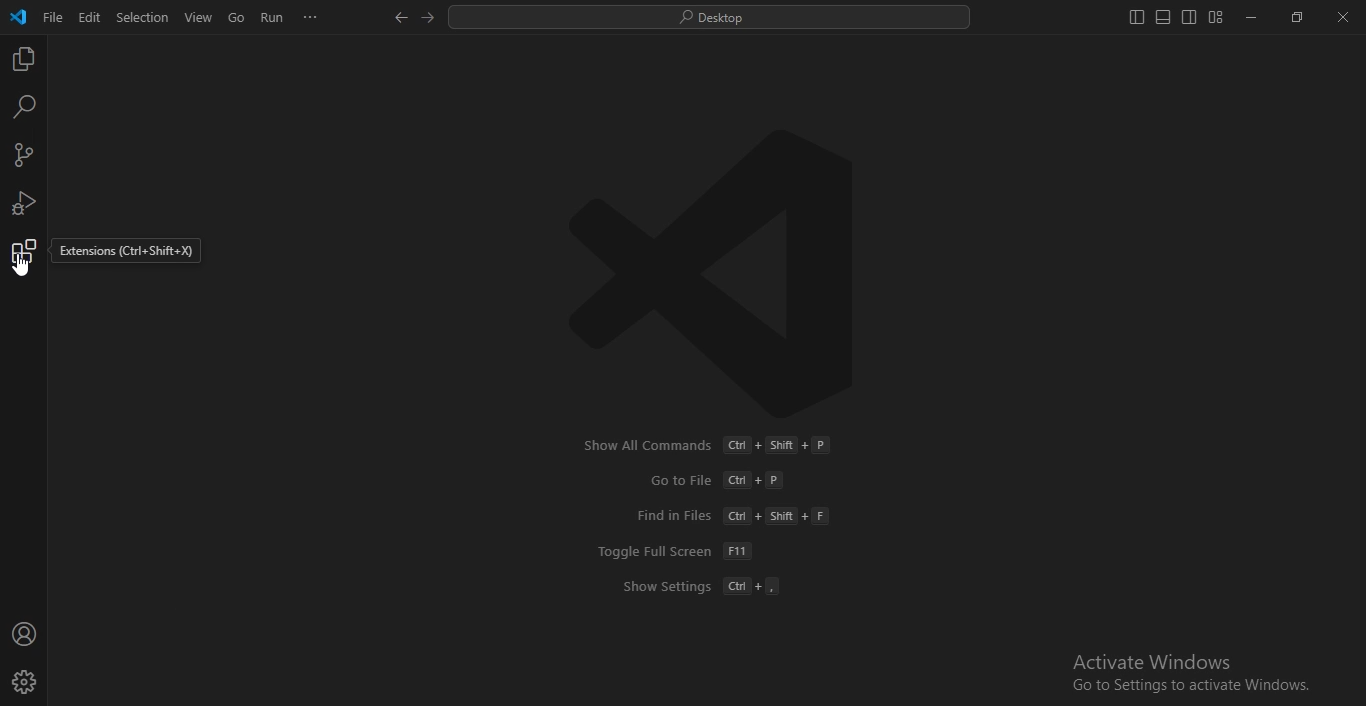 The image size is (1366, 706). What do you see at coordinates (1162, 18) in the screenshot?
I see `toggle panel` at bounding box center [1162, 18].